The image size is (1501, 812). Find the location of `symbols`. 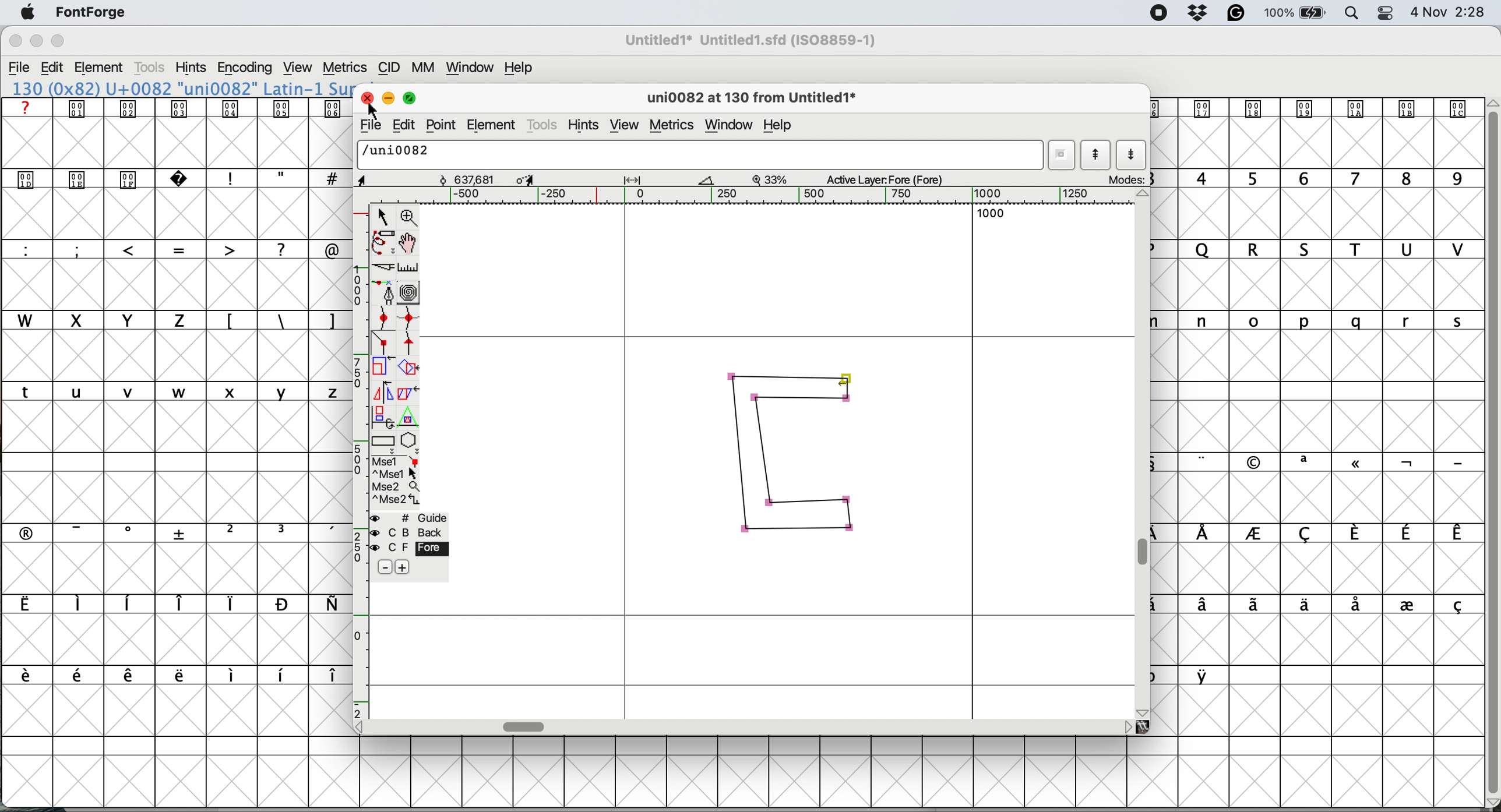

symbols is located at coordinates (172, 604).